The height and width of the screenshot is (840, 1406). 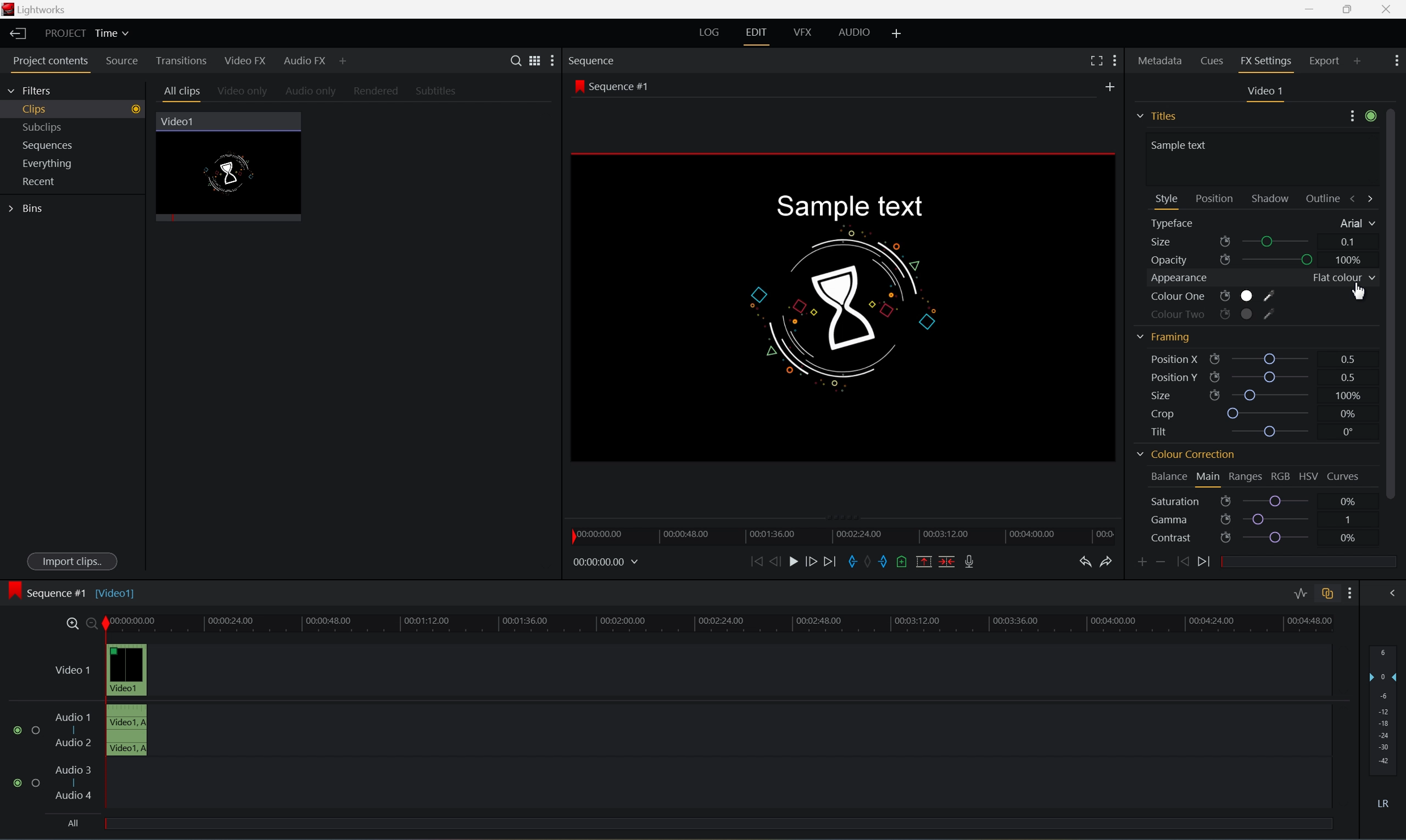 What do you see at coordinates (10, 11) in the screenshot?
I see `logo` at bounding box center [10, 11].